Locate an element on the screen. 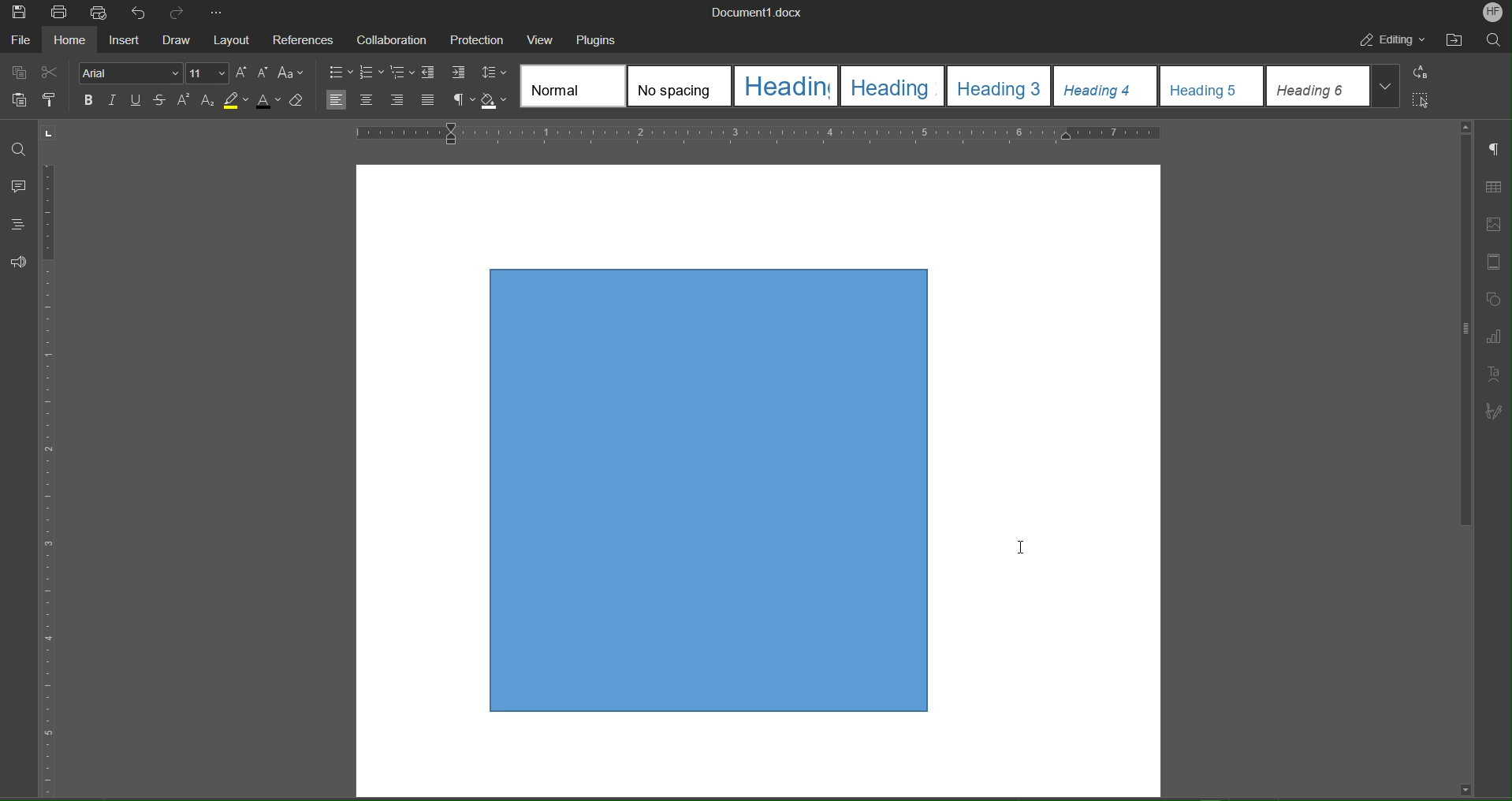 Image resolution: width=1512 pixels, height=801 pixels. Highlight is located at coordinates (236, 102).